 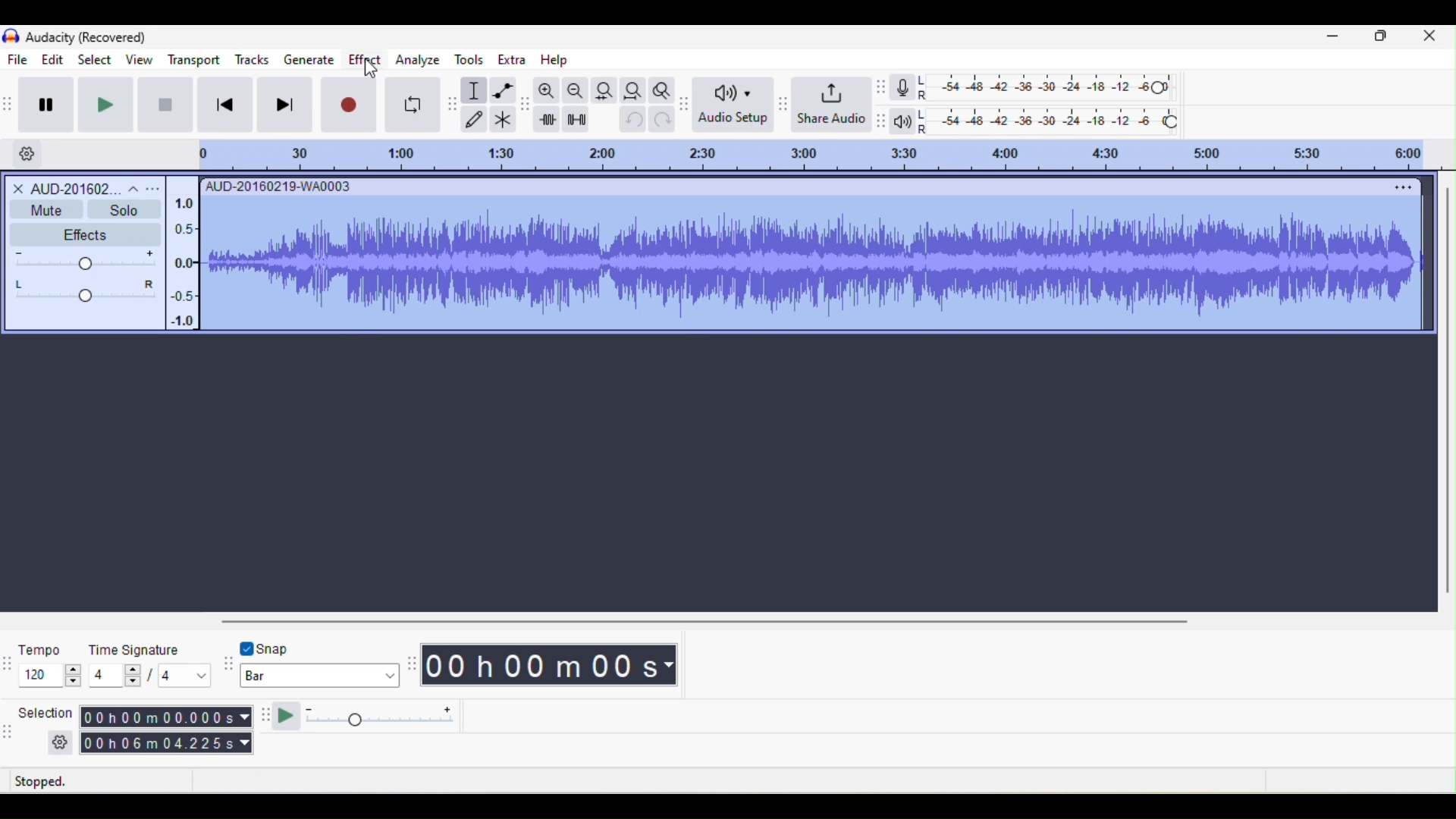 I want to click on click and drag to define a looping region, so click(x=820, y=155).